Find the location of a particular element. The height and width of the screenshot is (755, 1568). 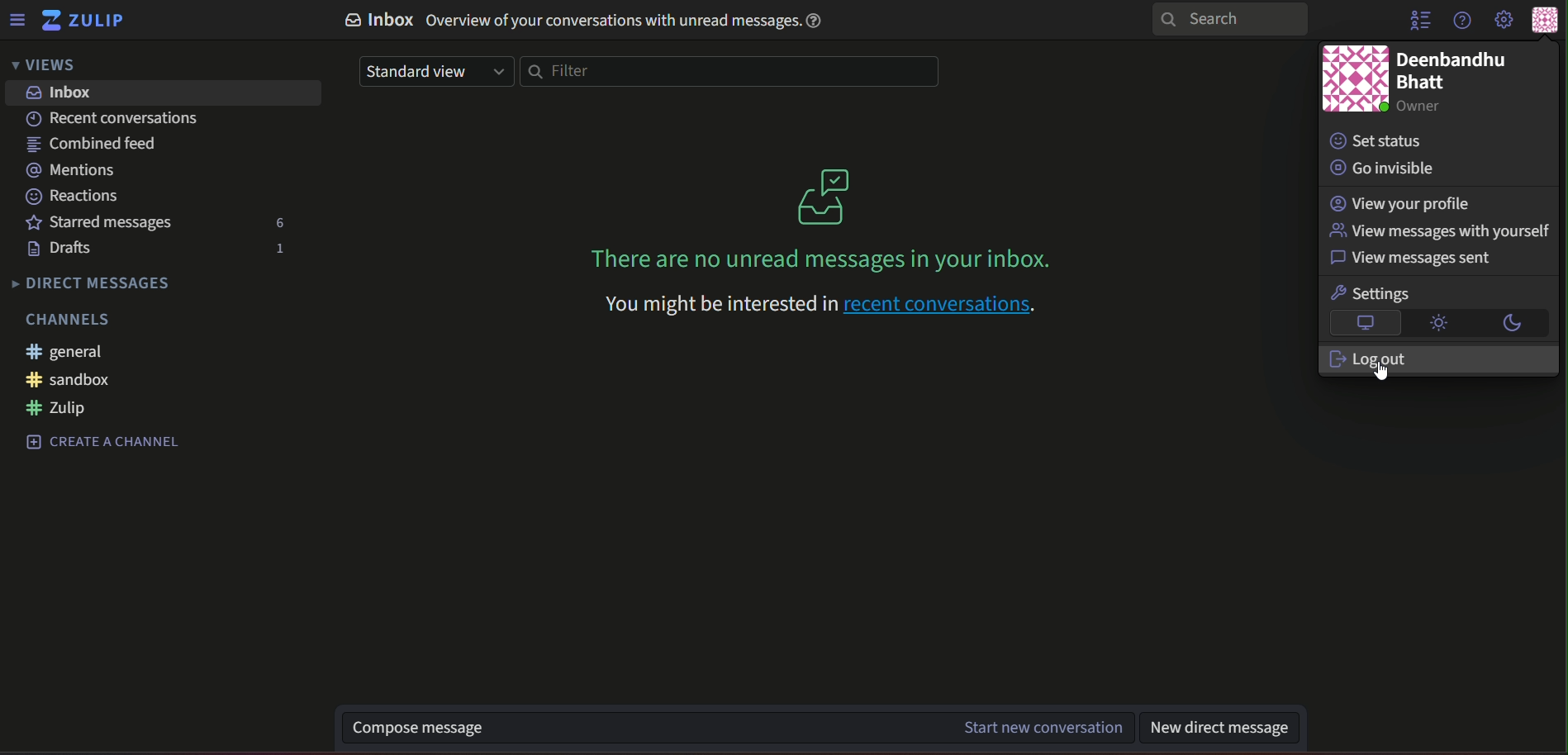

text is located at coordinates (77, 198).